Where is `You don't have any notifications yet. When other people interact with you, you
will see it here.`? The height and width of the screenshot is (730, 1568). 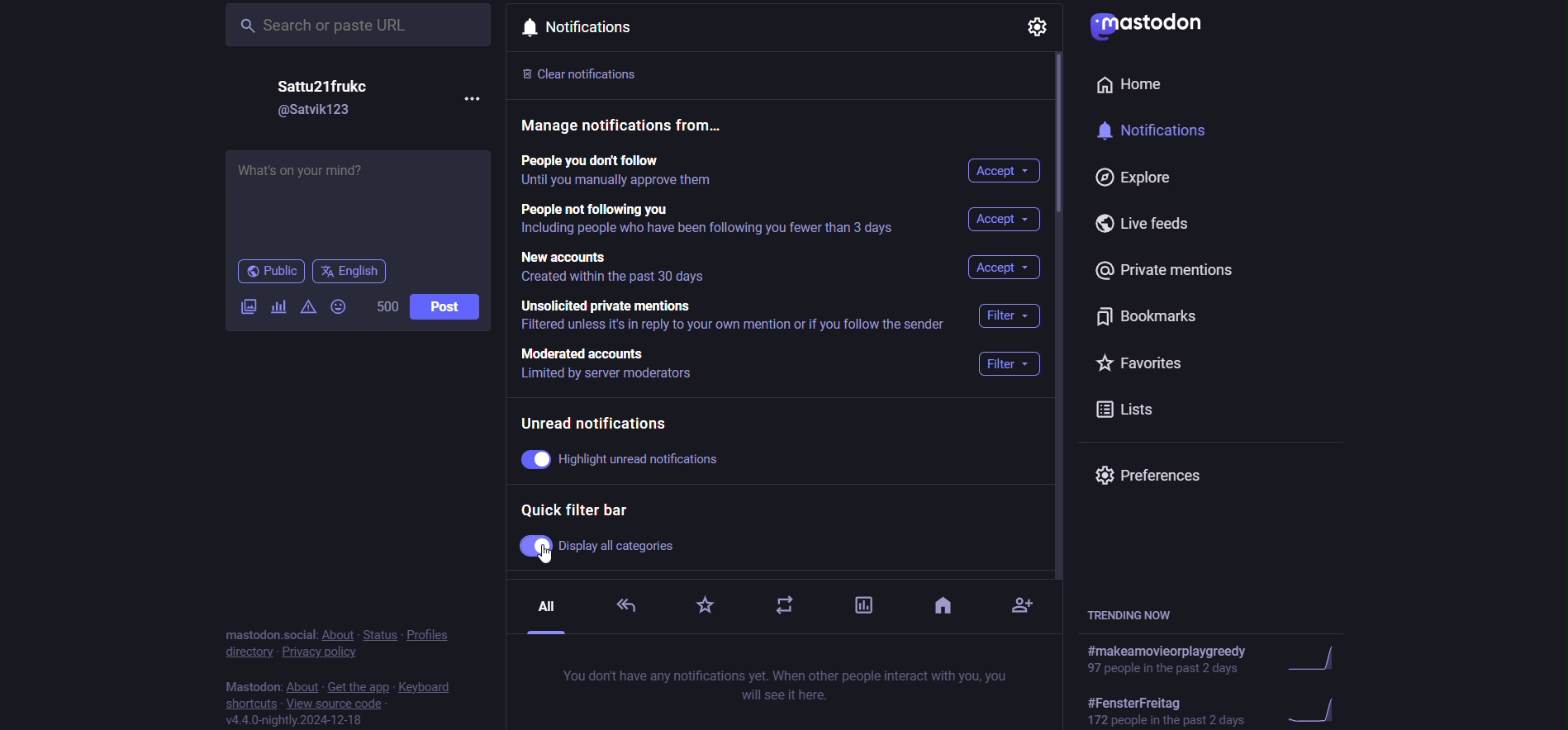 You don't have any notifications yet. When other people interact with you, you
will see it here. is located at coordinates (784, 684).